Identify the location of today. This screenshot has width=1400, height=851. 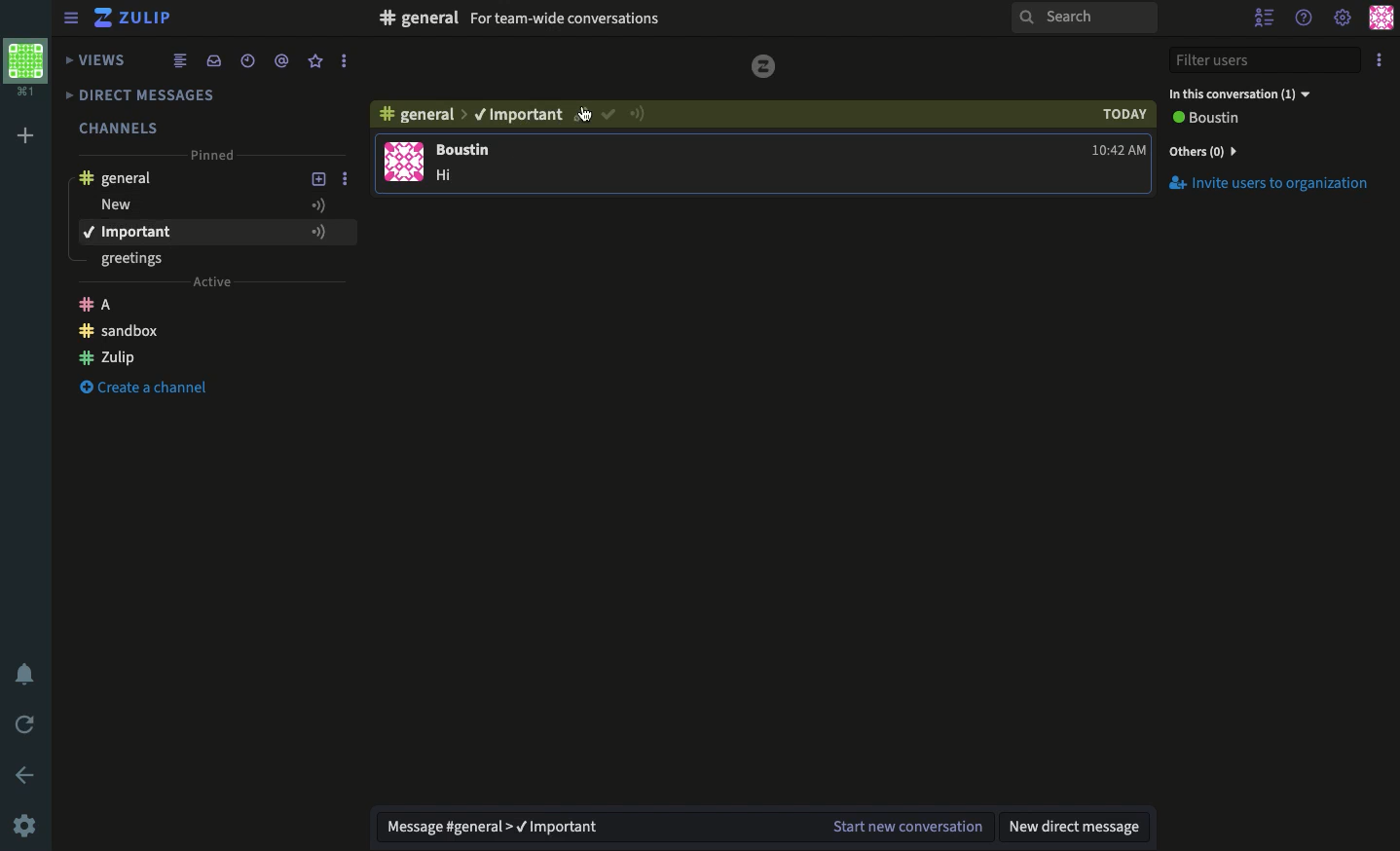
(1122, 114).